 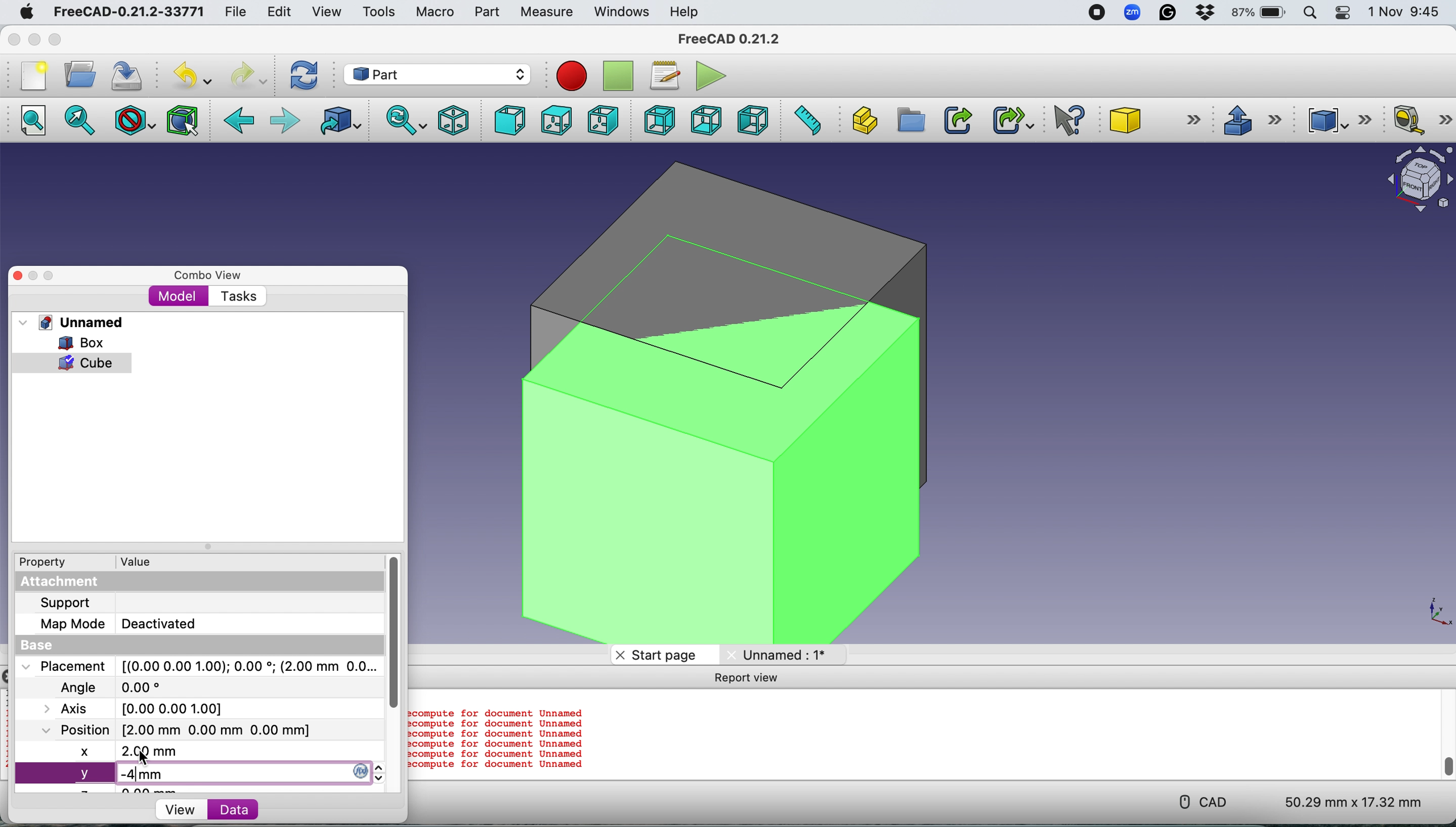 I want to click on Placement, so click(x=202, y=666).